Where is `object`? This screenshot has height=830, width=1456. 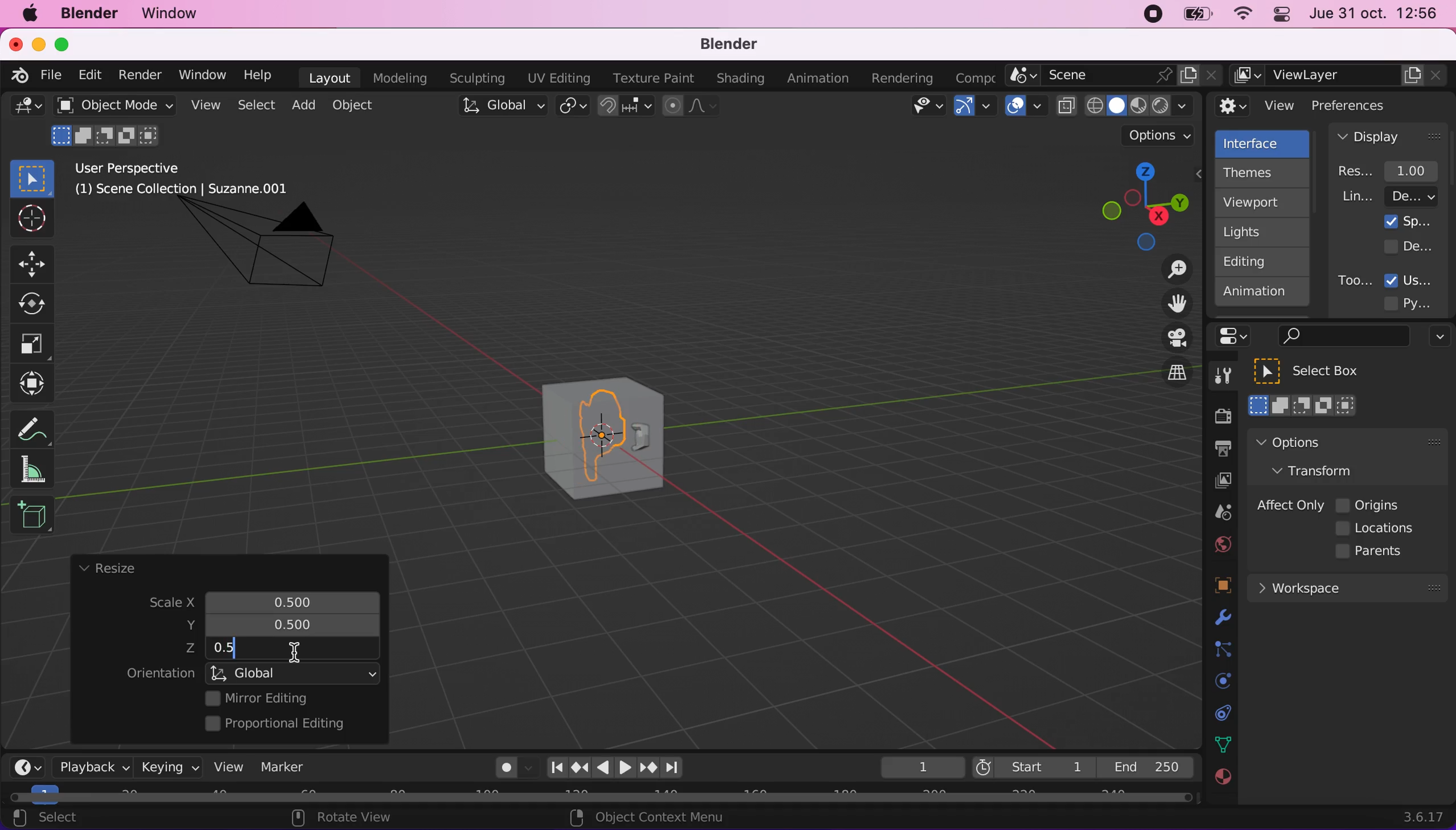 object is located at coordinates (356, 105).